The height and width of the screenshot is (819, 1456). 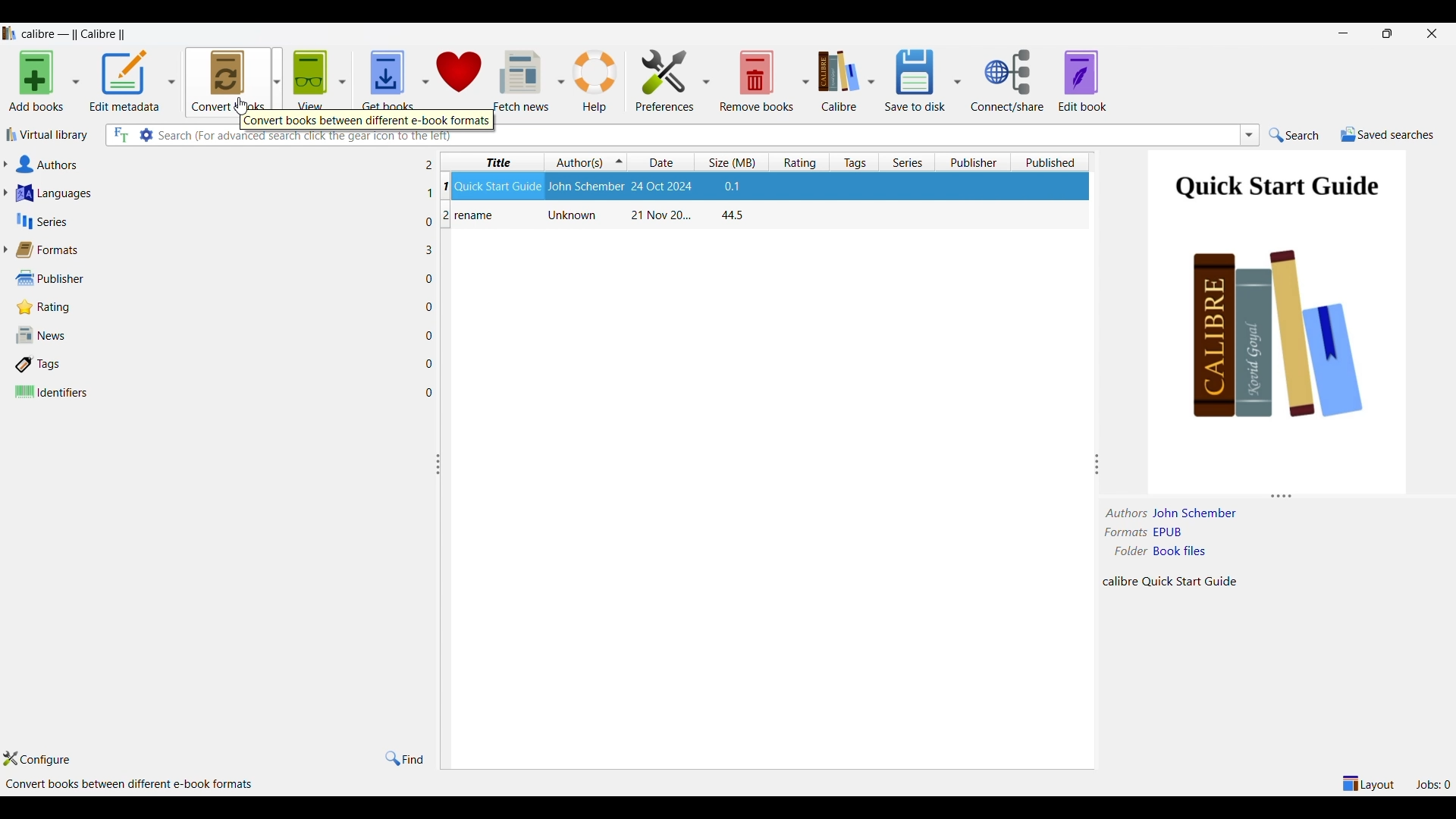 I want to click on folder, so click(x=1131, y=551).